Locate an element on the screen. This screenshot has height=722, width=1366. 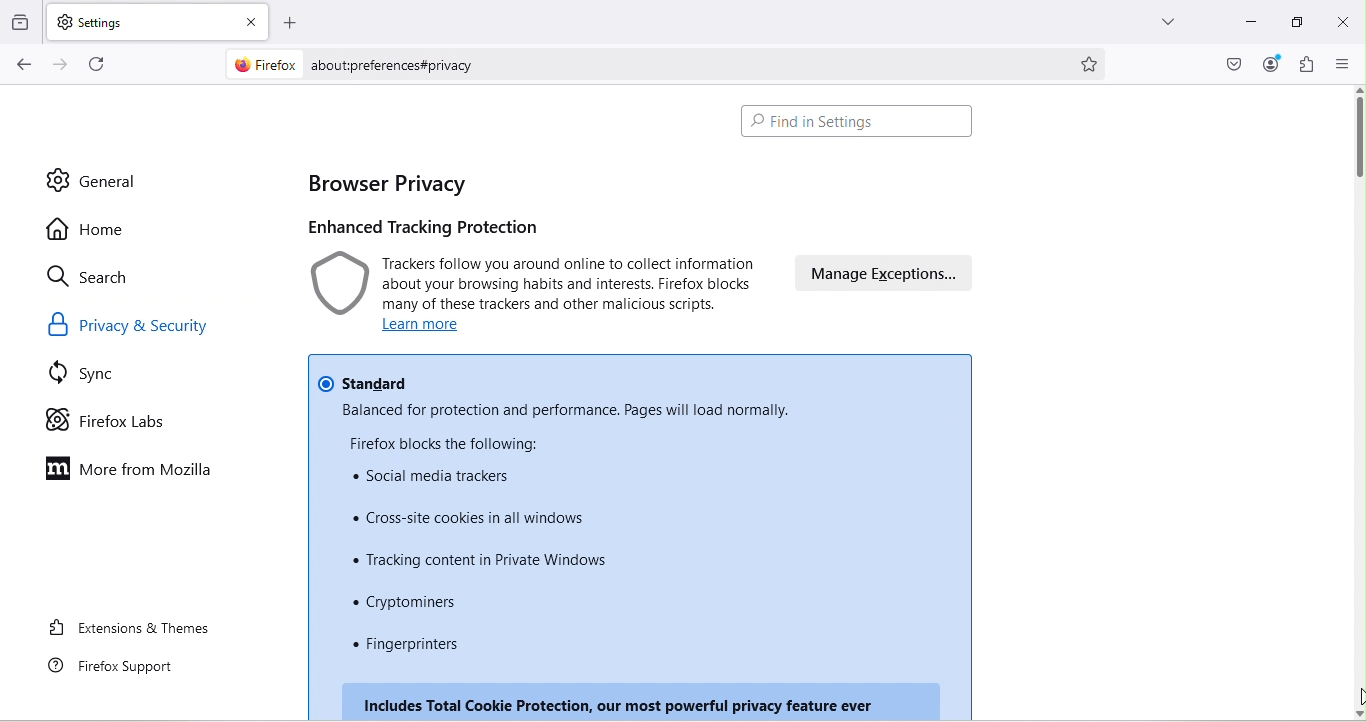
Home is located at coordinates (88, 228).